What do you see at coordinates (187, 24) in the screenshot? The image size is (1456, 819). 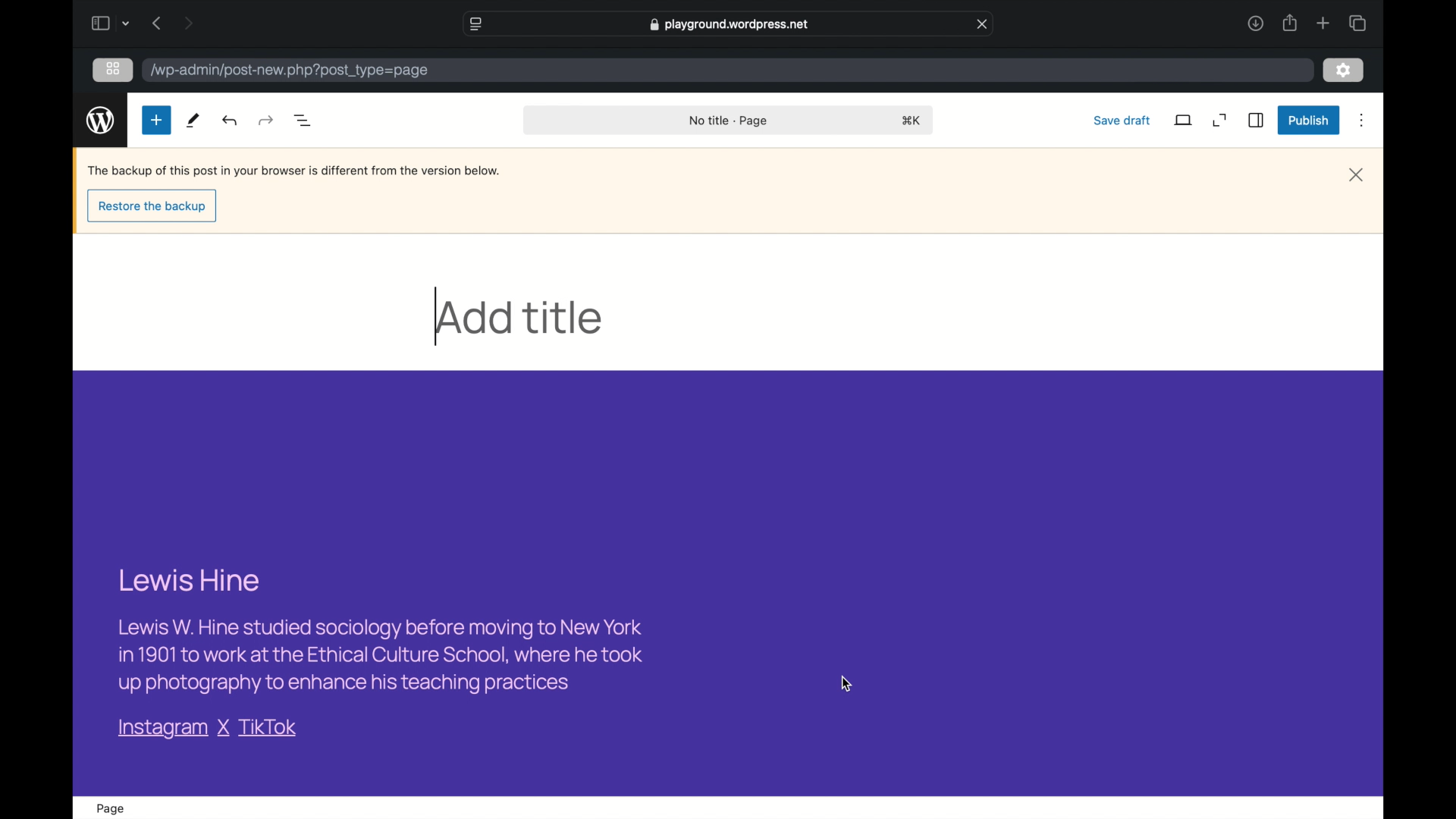 I see `next page` at bounding box center [187, 24].